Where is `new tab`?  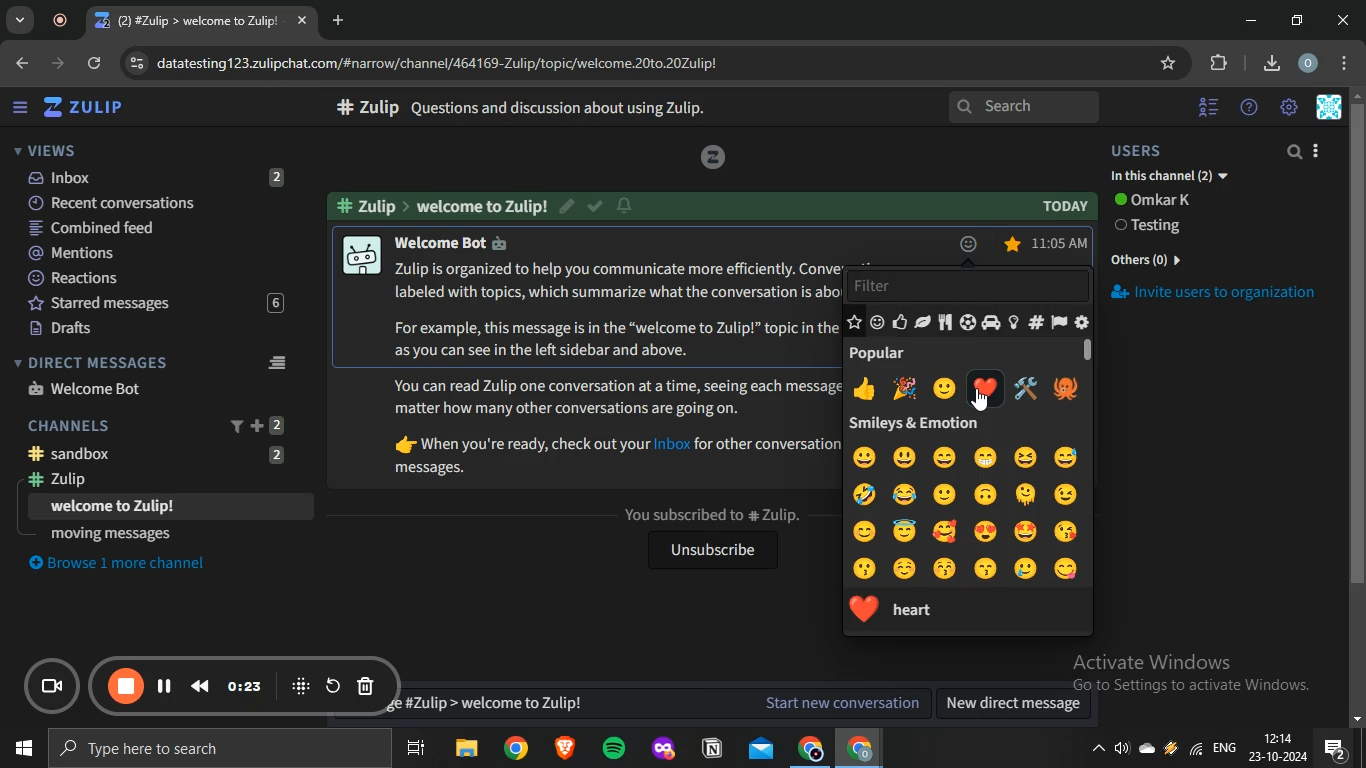 new tab is located at coordinates (341, 20).